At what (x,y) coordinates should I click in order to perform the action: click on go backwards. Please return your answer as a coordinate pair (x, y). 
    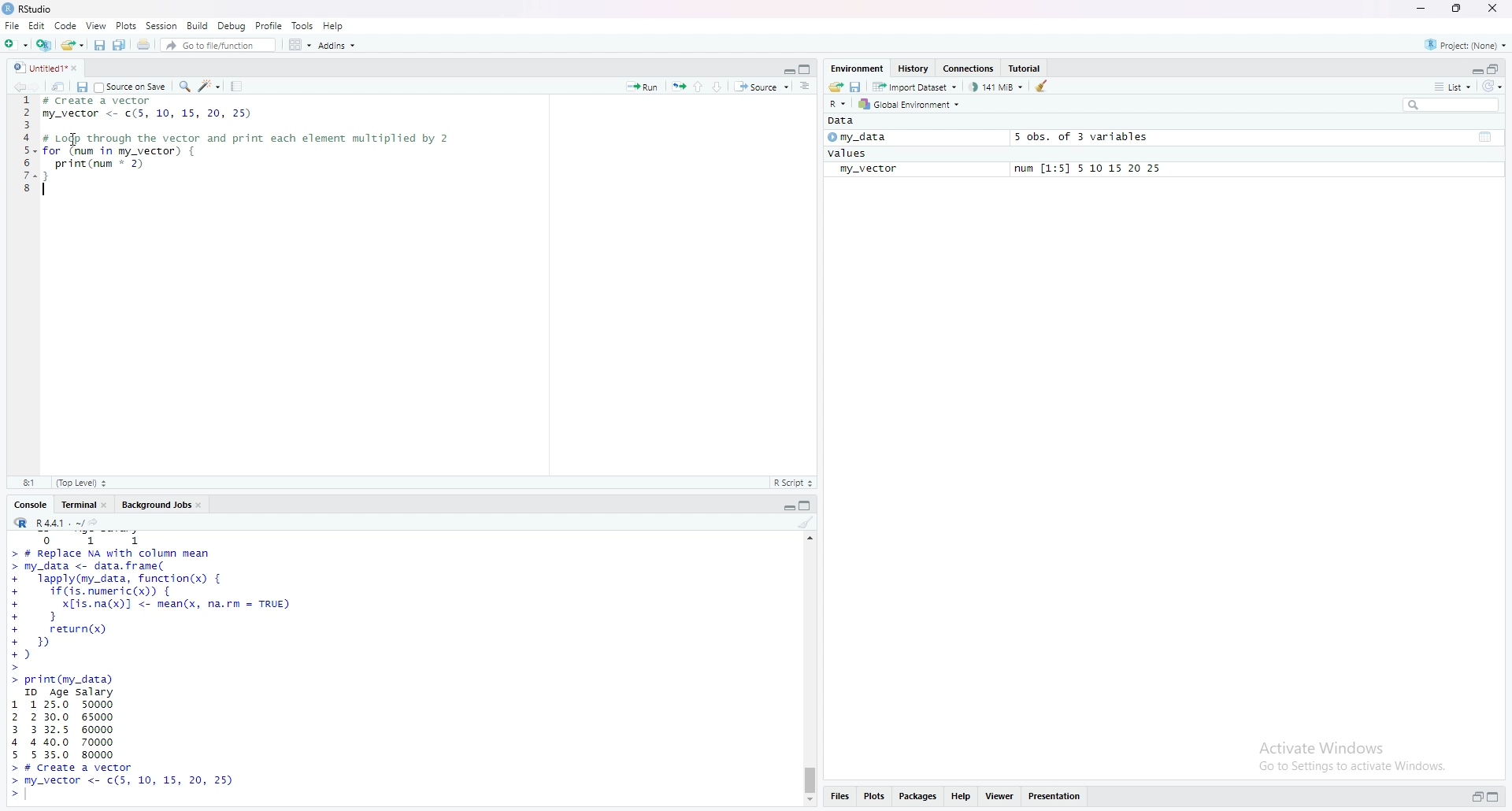
    Looking at the image, I should click on (17, 87).